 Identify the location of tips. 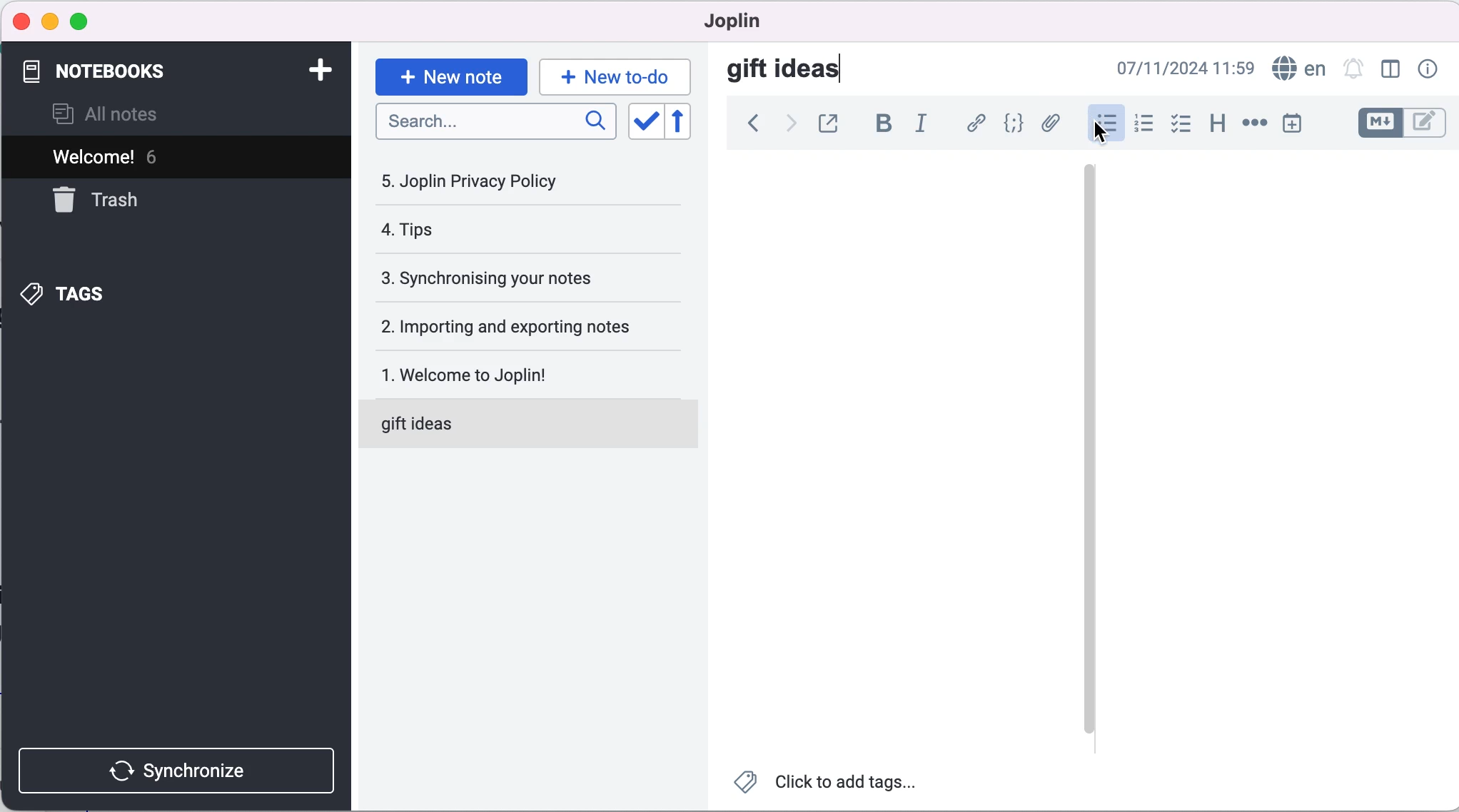
(490, 231).